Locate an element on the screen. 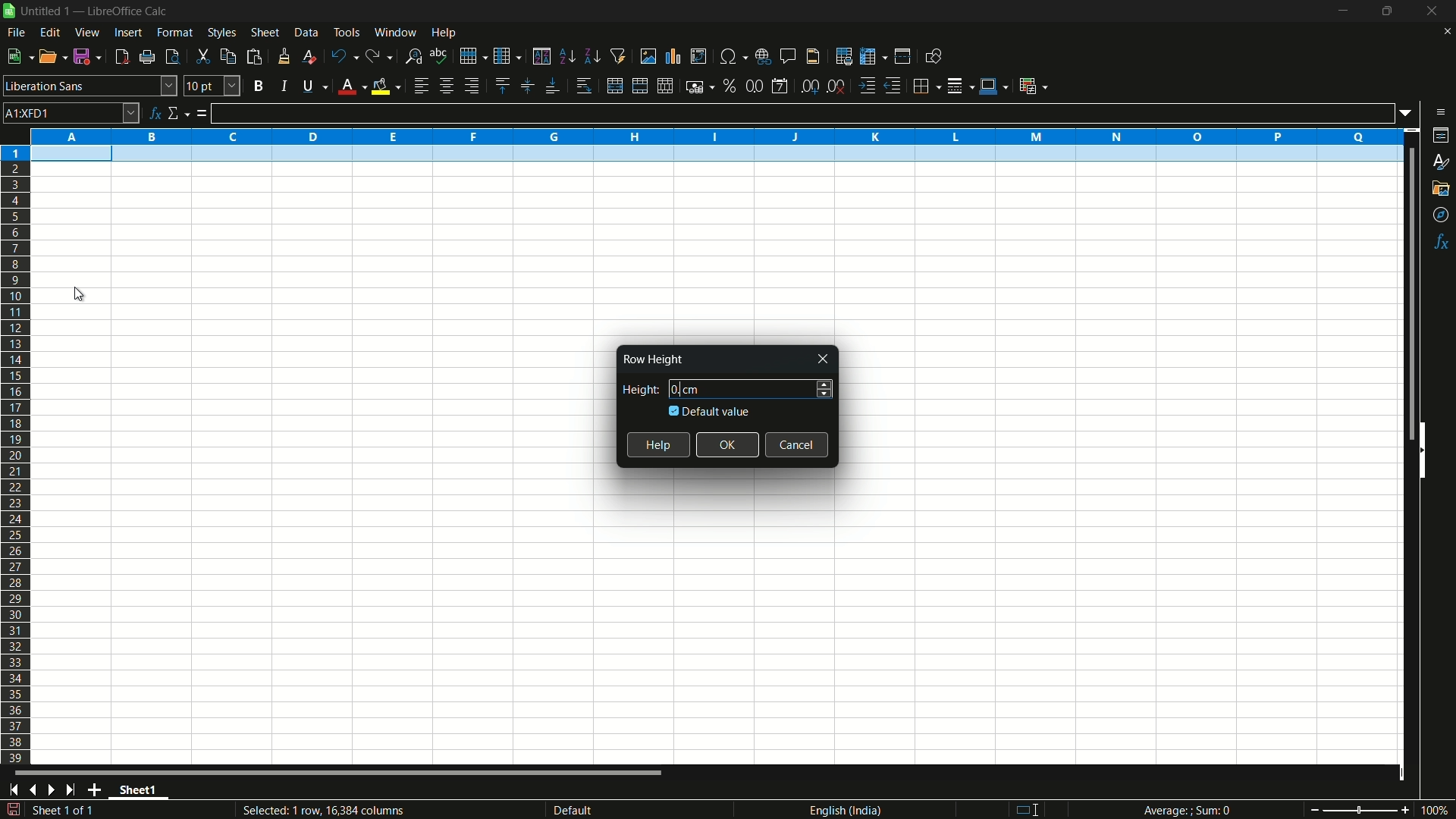  add sheet is located at coordinates (98, 789).